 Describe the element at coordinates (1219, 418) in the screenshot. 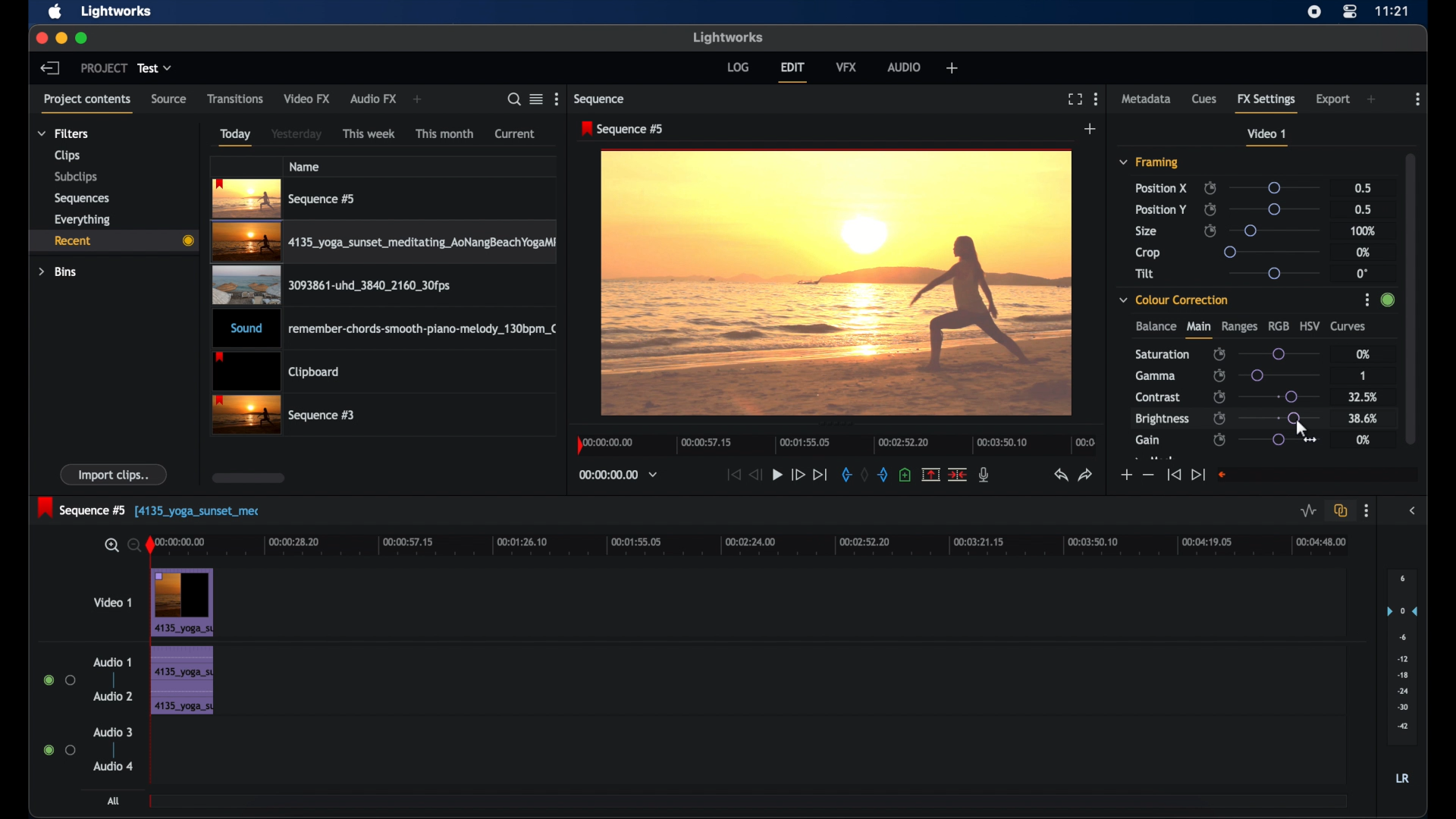

I see `enable/disable keyframes` at that location.